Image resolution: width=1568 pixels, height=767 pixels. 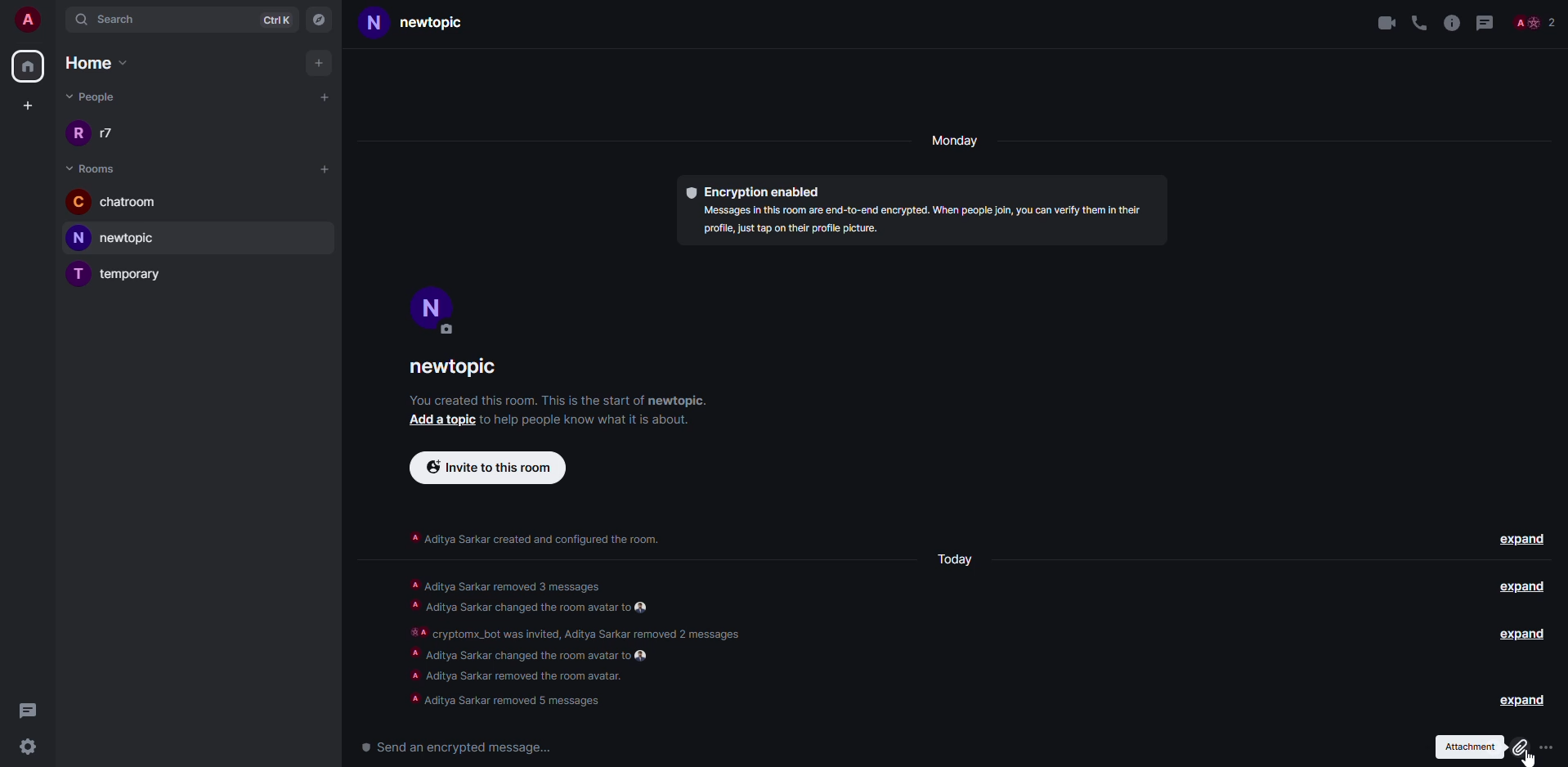 What do you see at coordinates (96, 169) in the screenshot?
I see `room` at bounding box center [96, 169].